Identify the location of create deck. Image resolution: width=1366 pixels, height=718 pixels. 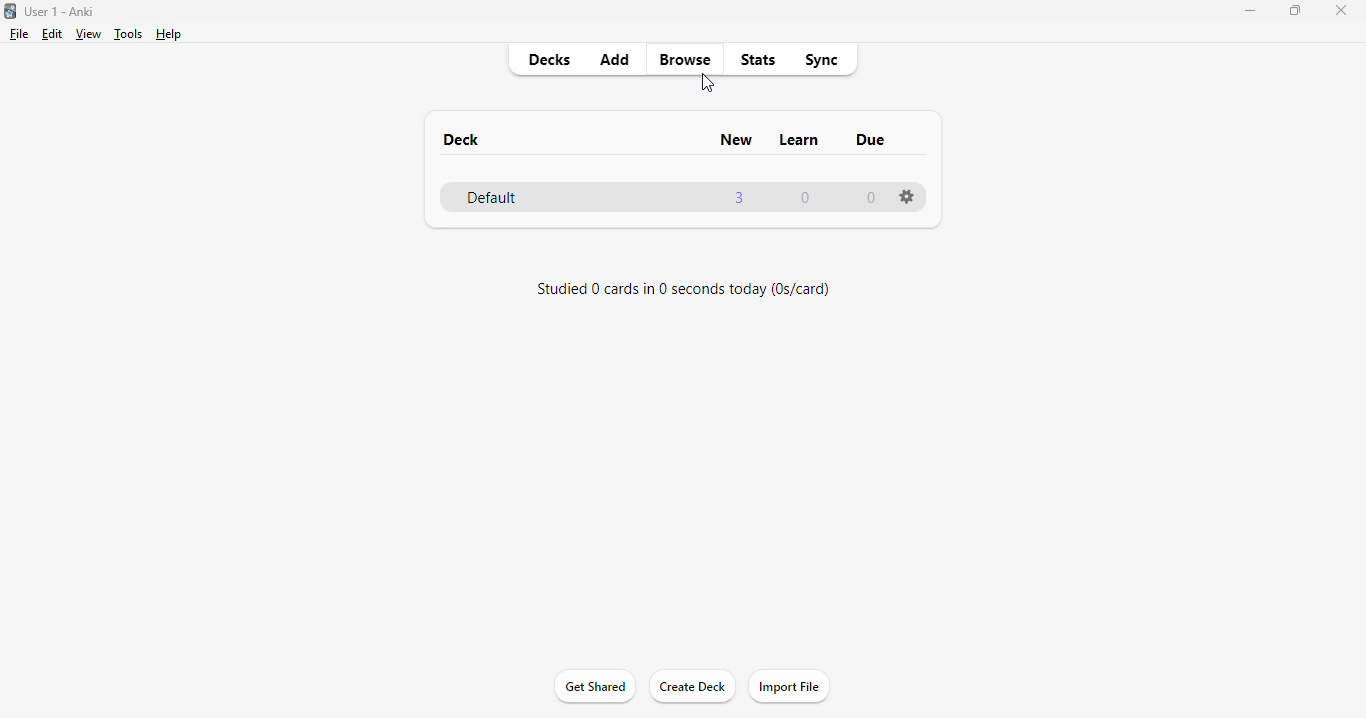
(690, 685).